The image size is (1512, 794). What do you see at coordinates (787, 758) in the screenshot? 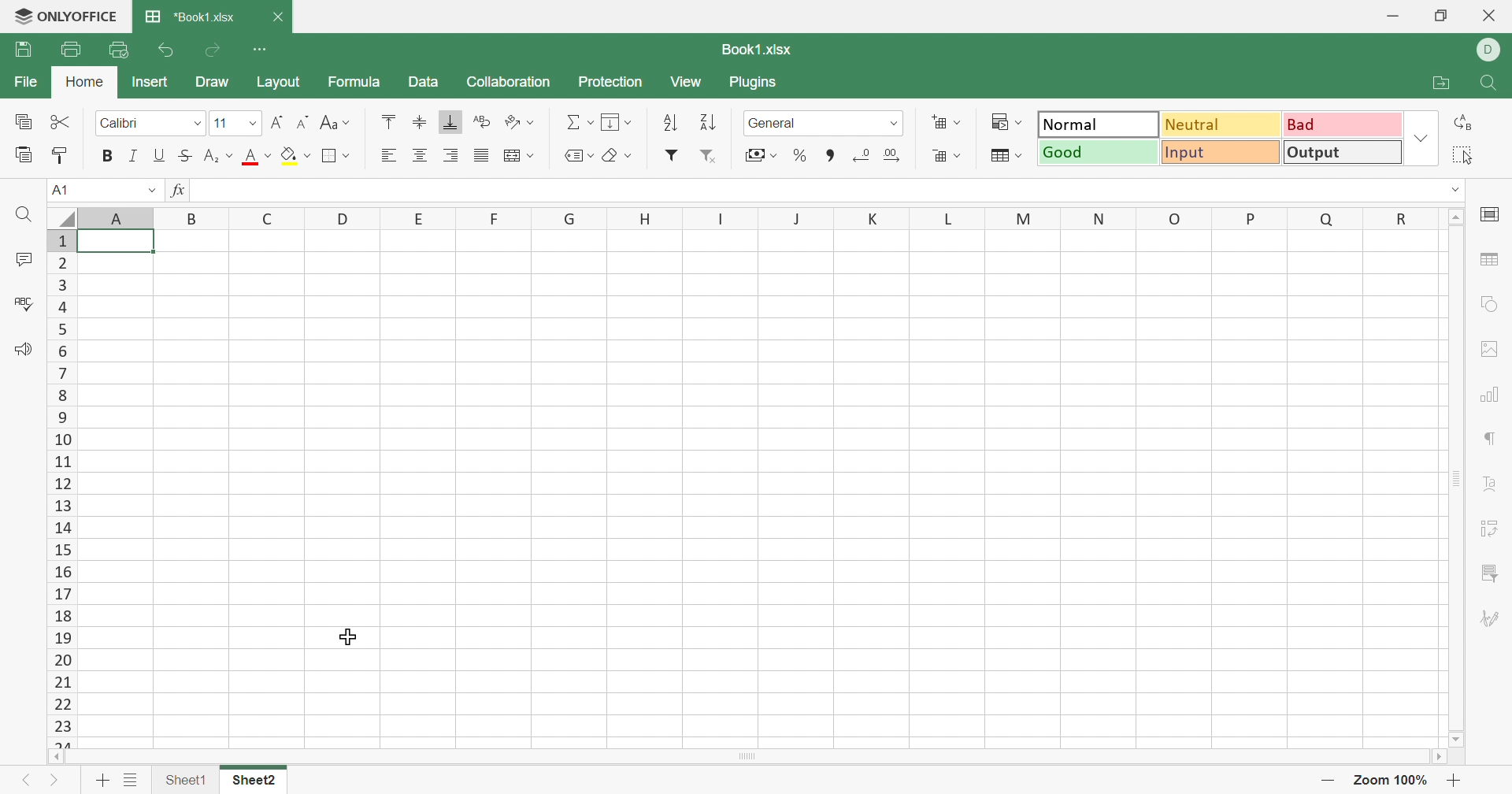
I see `Scroll bar` at bounding box center [787, 758].